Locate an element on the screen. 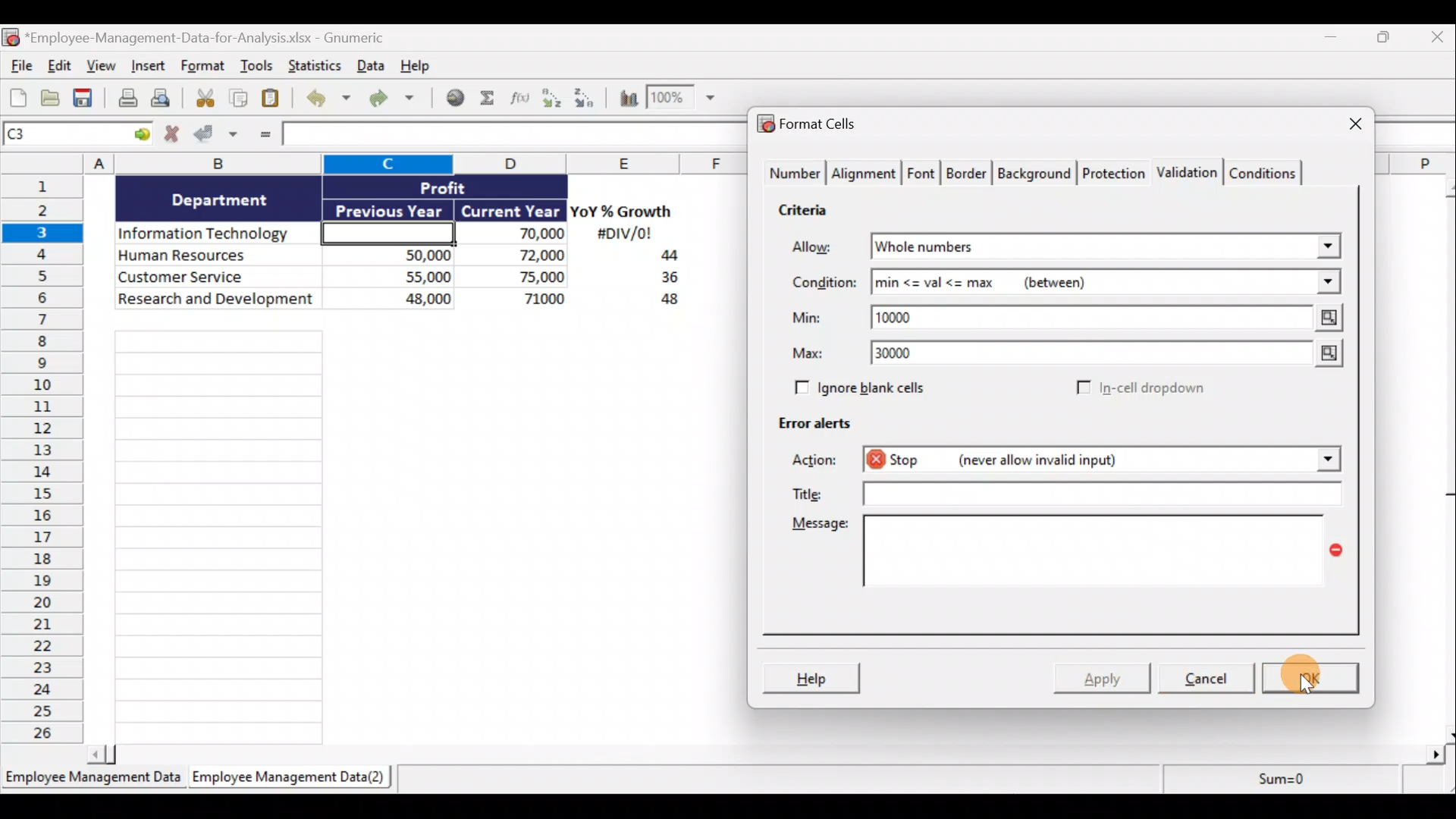  Columns is located at coordinates (380, 163).